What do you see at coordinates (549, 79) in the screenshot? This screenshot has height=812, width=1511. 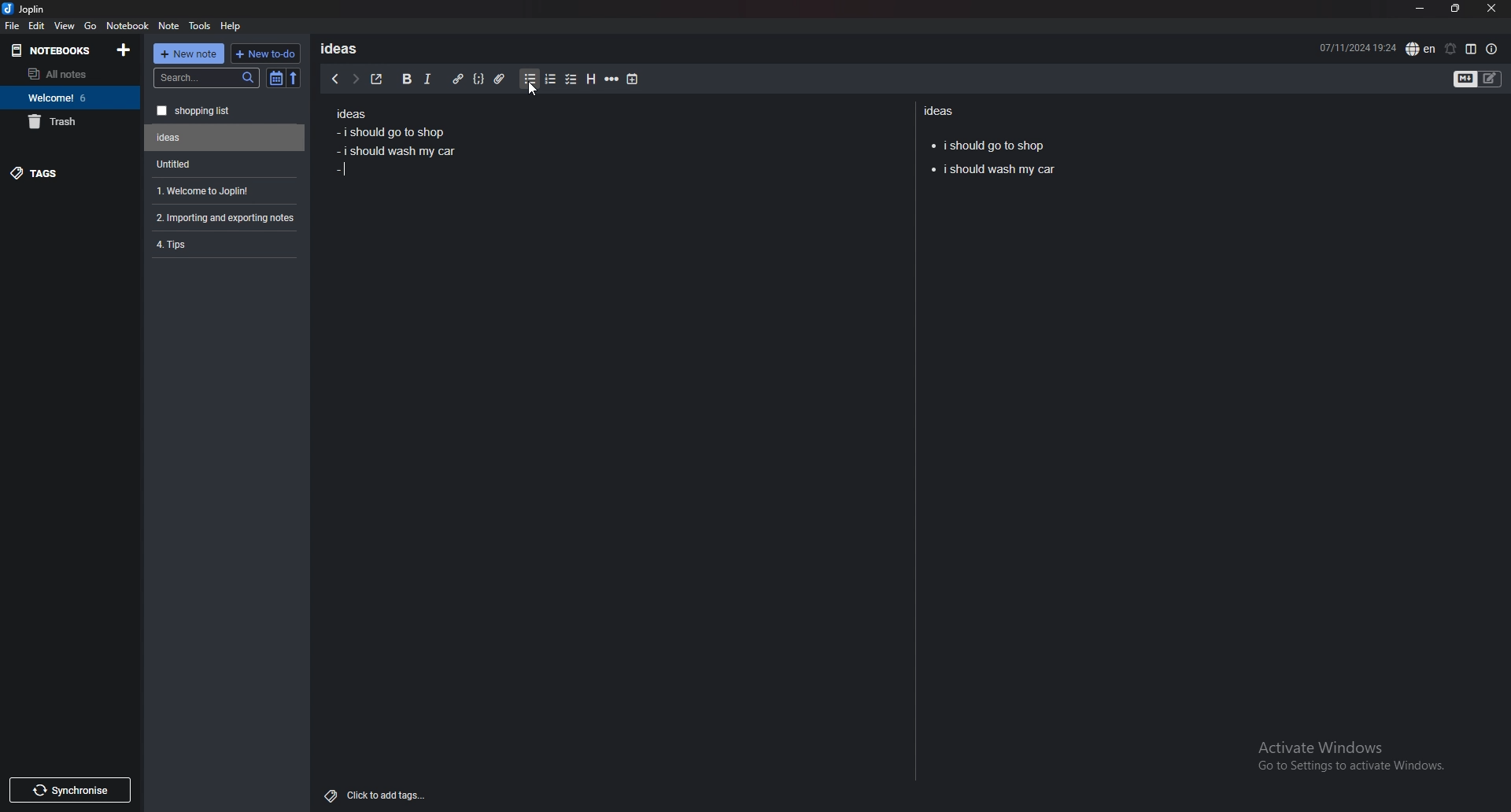 I see `numbered list` at bounding box center [549, 79].